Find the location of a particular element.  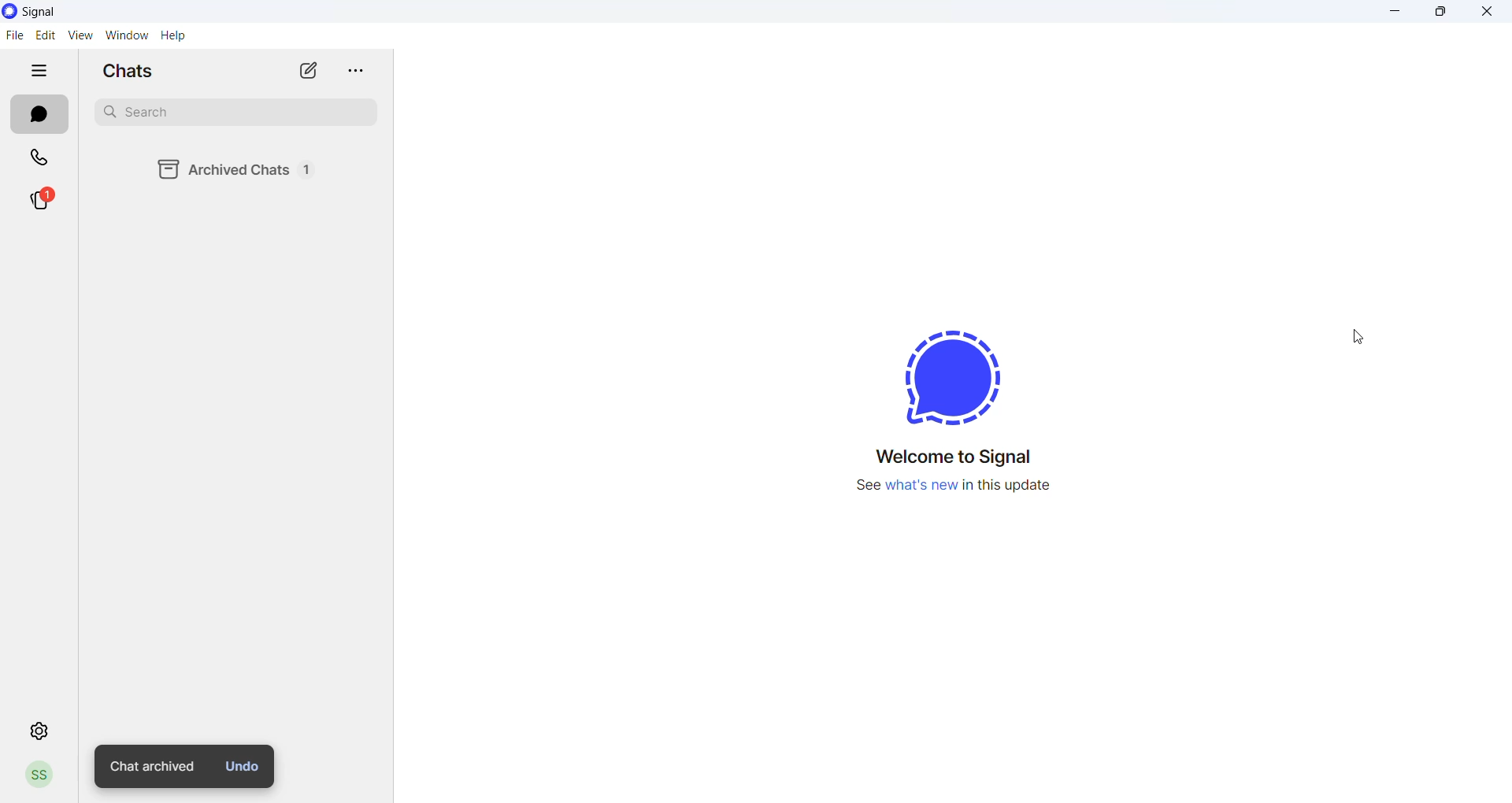

application logo and name is located at coordinates (65, 11).